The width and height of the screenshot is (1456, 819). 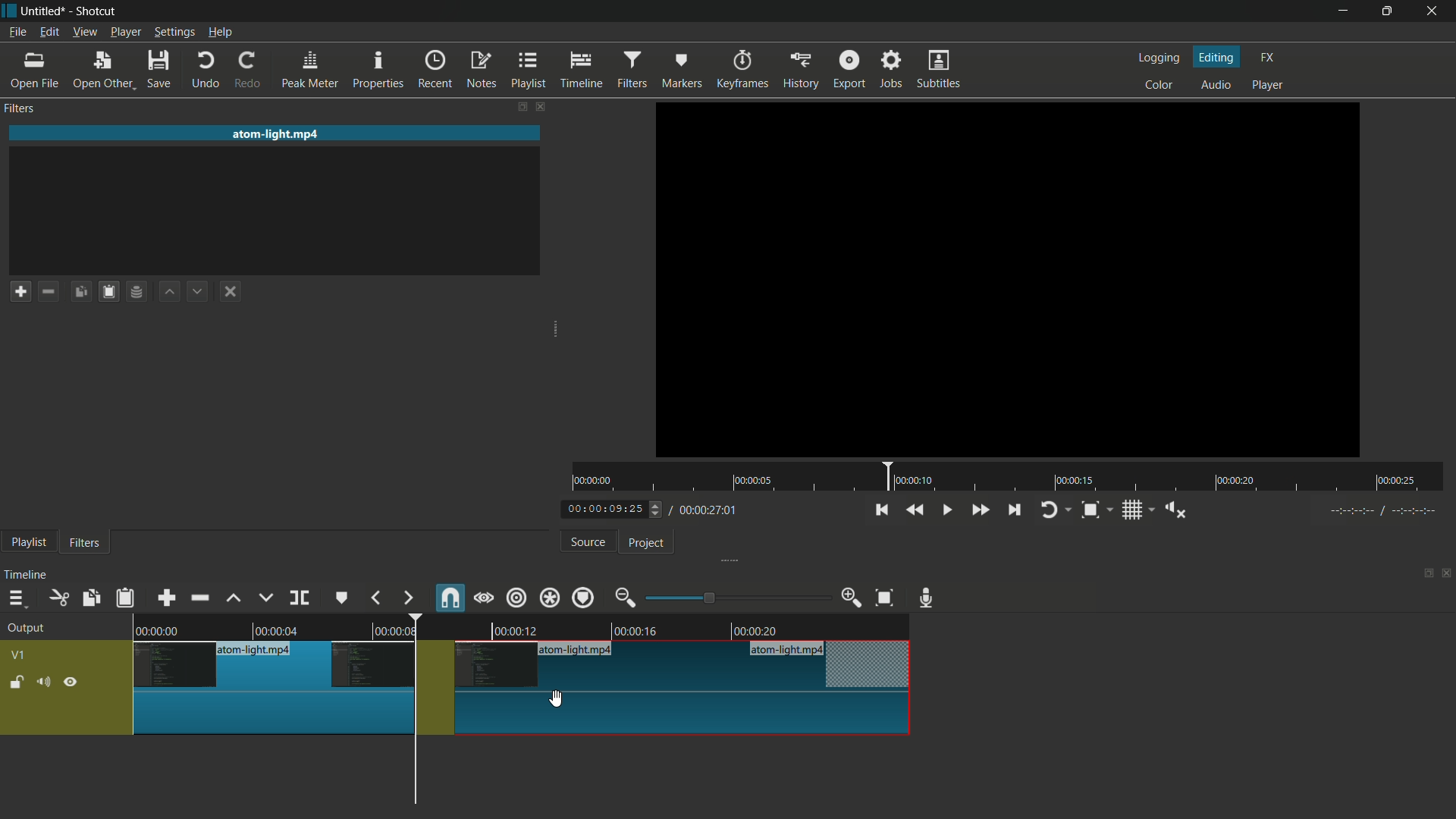 I want to click on ripple delete, so click(x=199, y=597).